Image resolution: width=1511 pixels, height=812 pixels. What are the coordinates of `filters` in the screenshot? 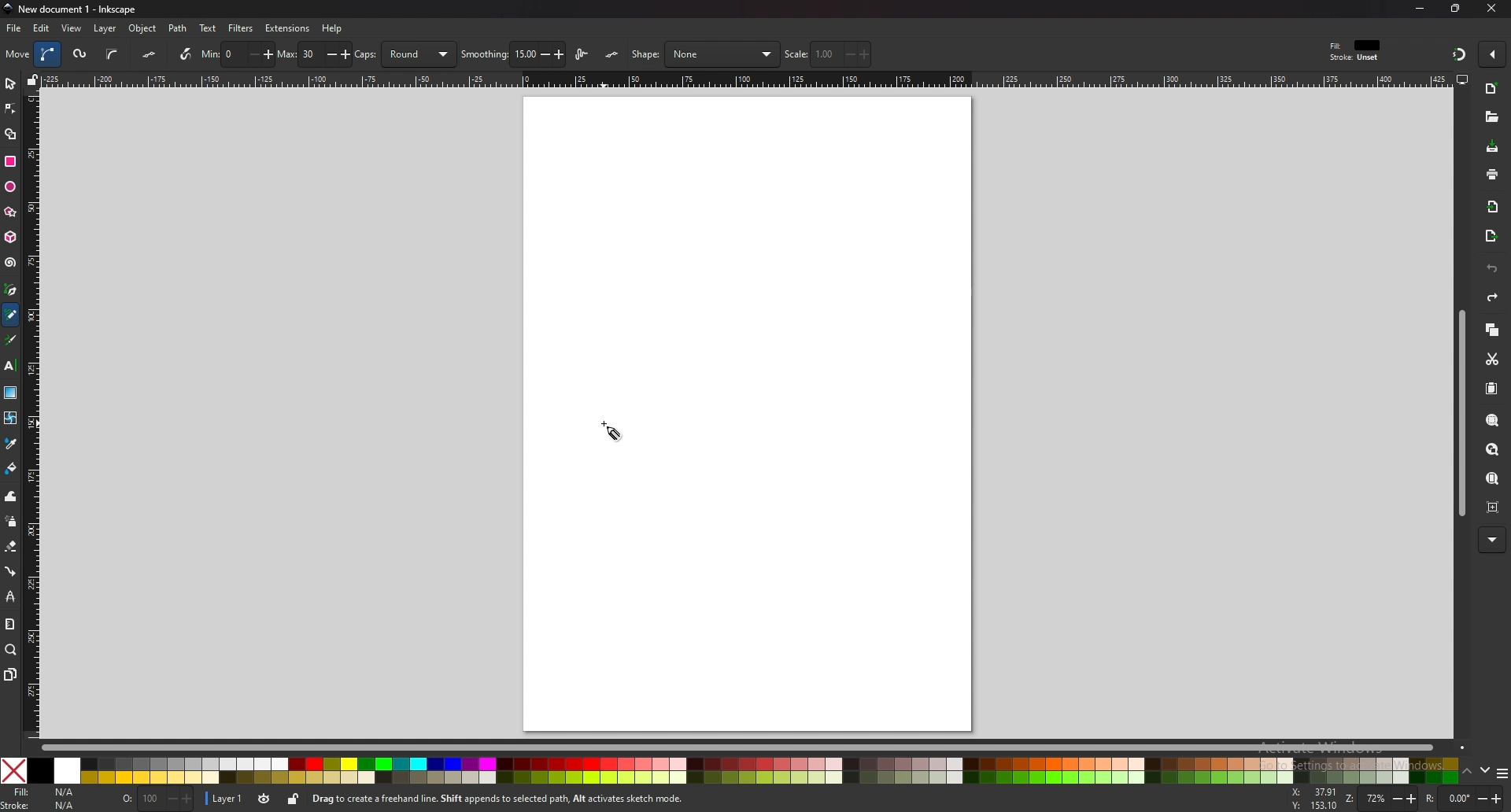 It's located at (240, 29).